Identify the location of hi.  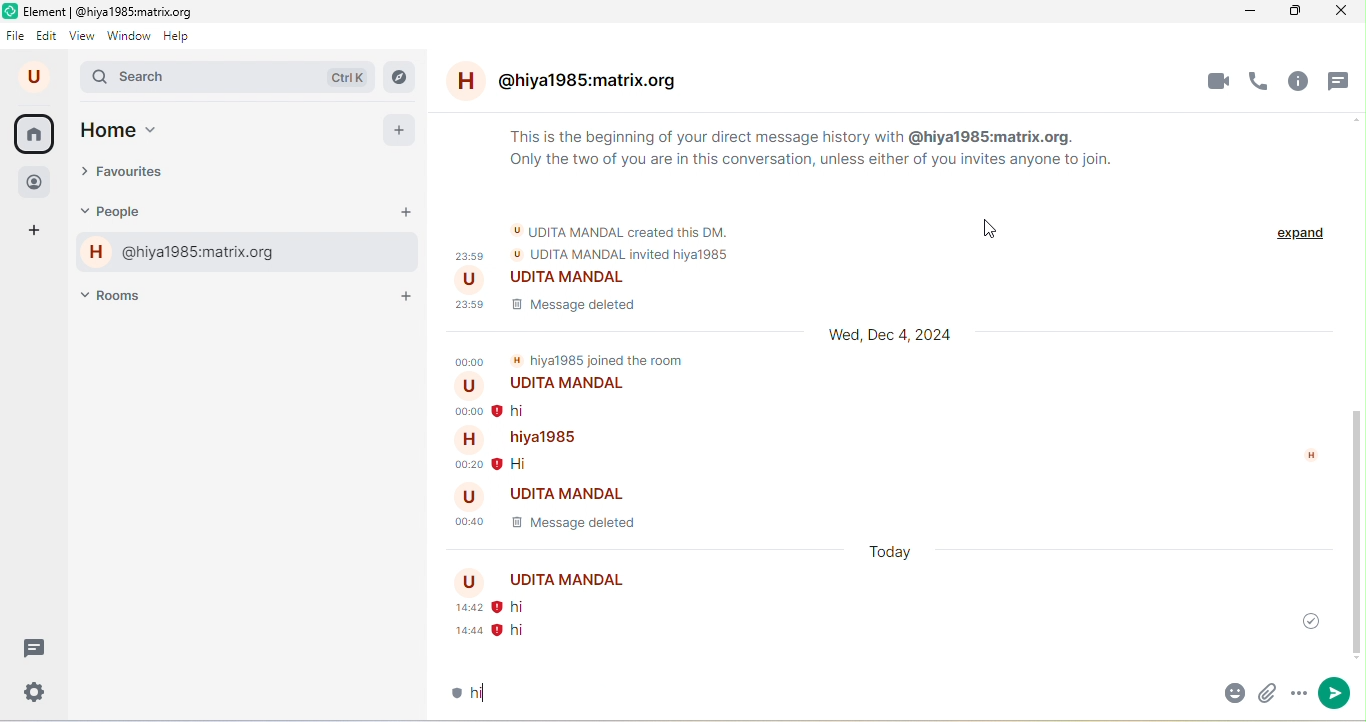
(531, 464).